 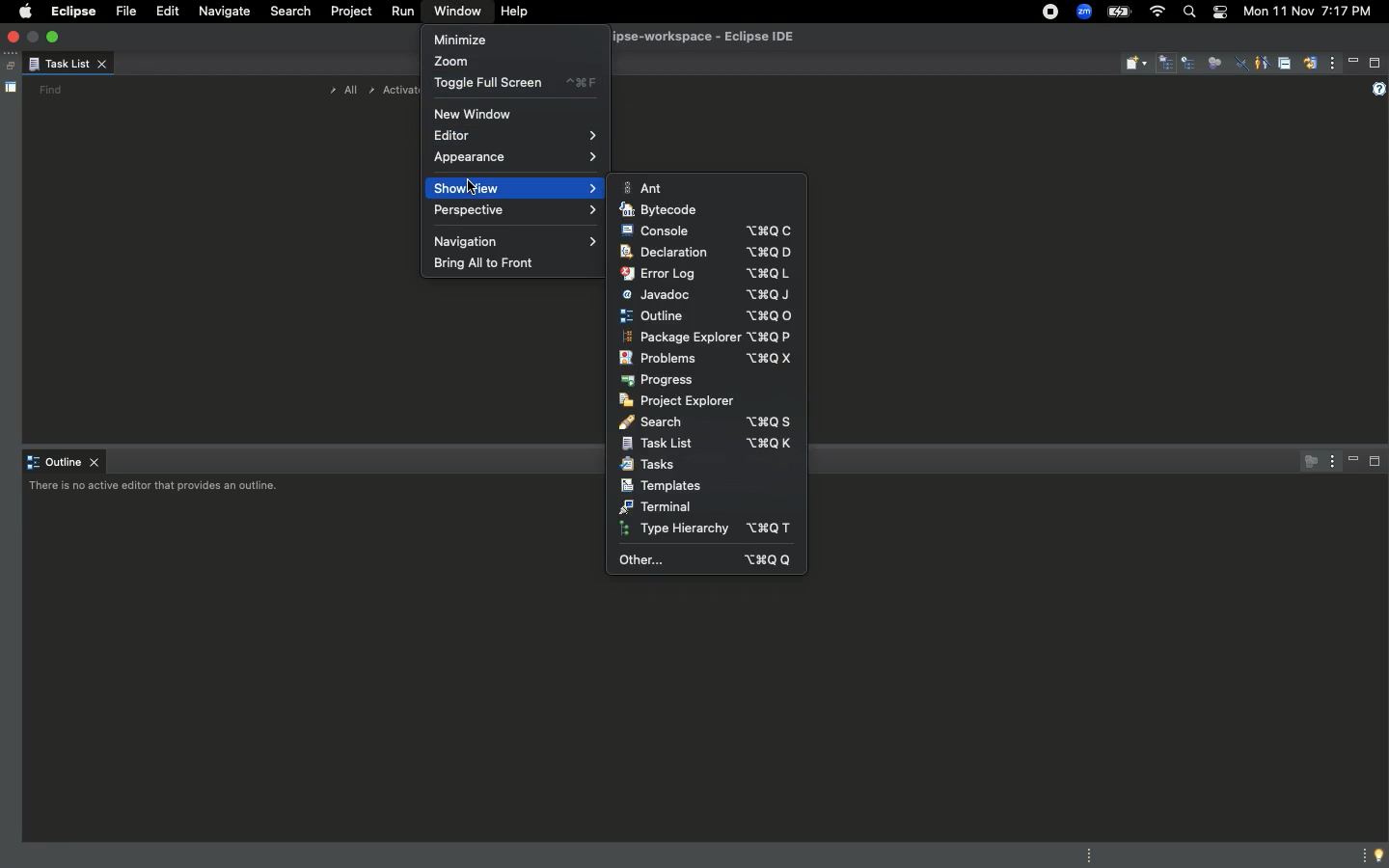 What do you see at coordinates (225, 14) in the screenshot?
I see `Navigate` at bounding box center [225, 14].